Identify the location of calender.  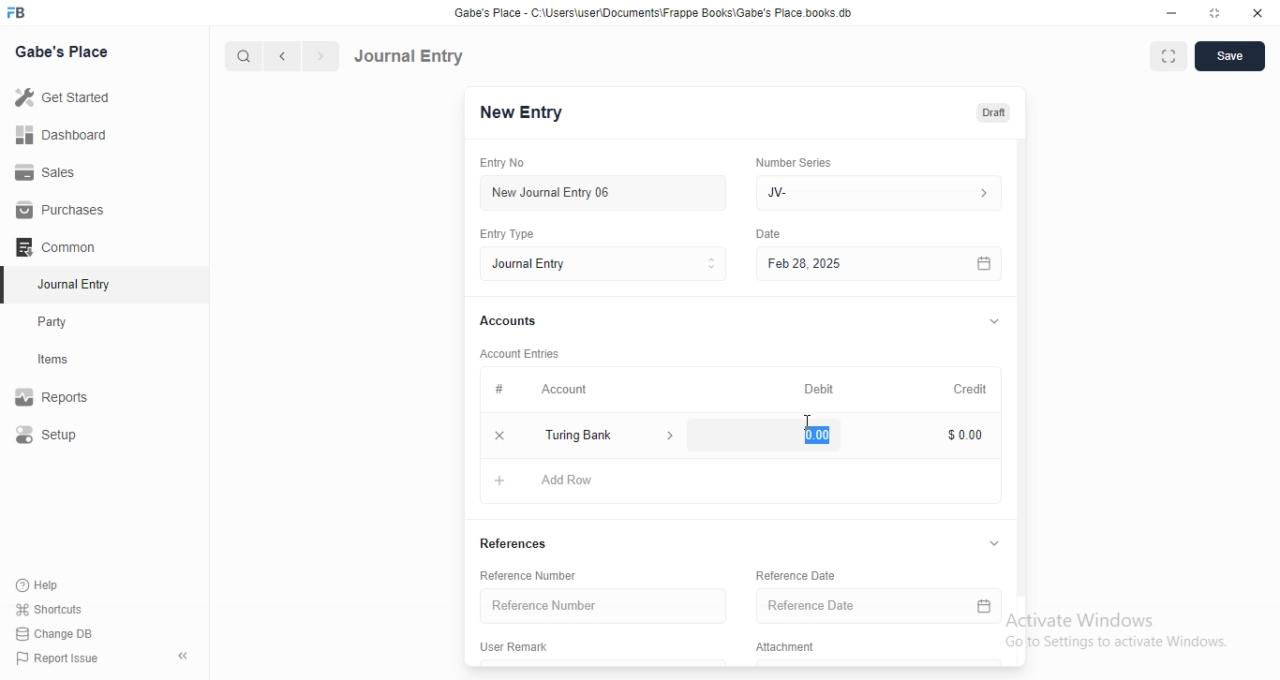
(985, 609).